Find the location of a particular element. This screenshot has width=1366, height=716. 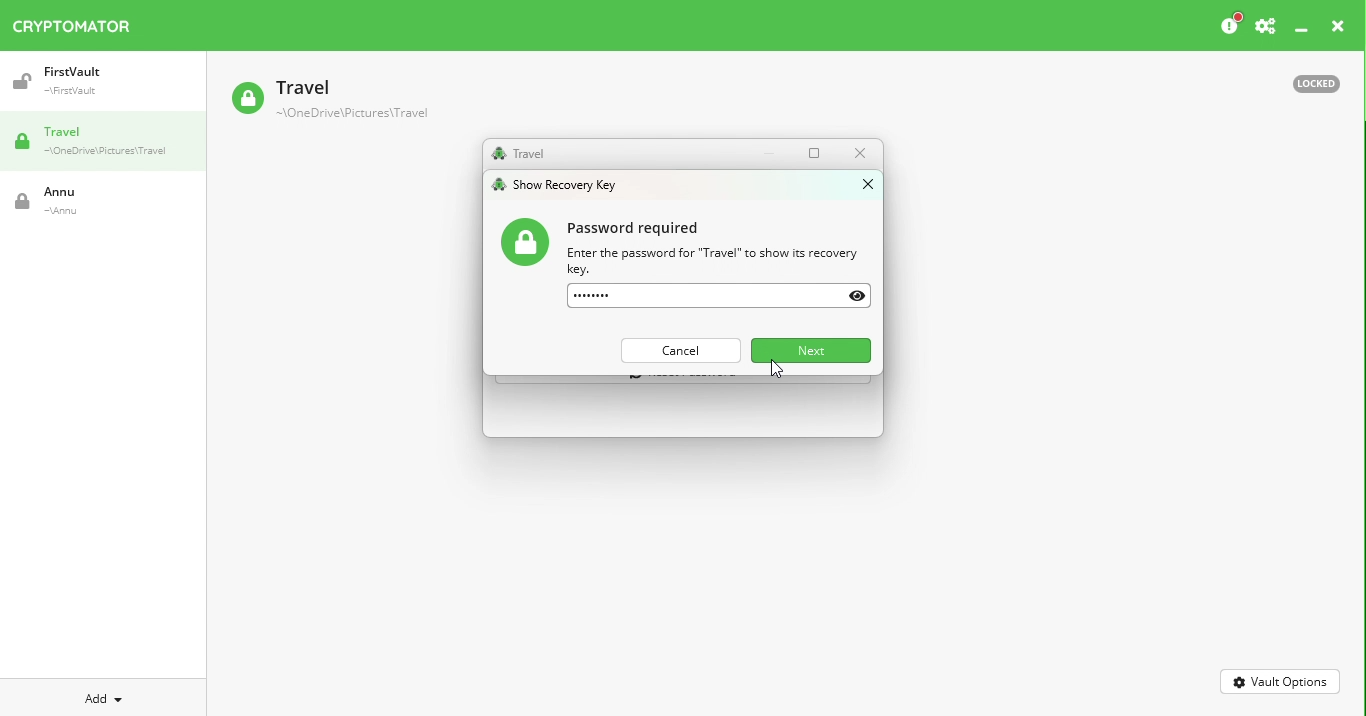

Cryptomator is located at coordinates (72, 22).